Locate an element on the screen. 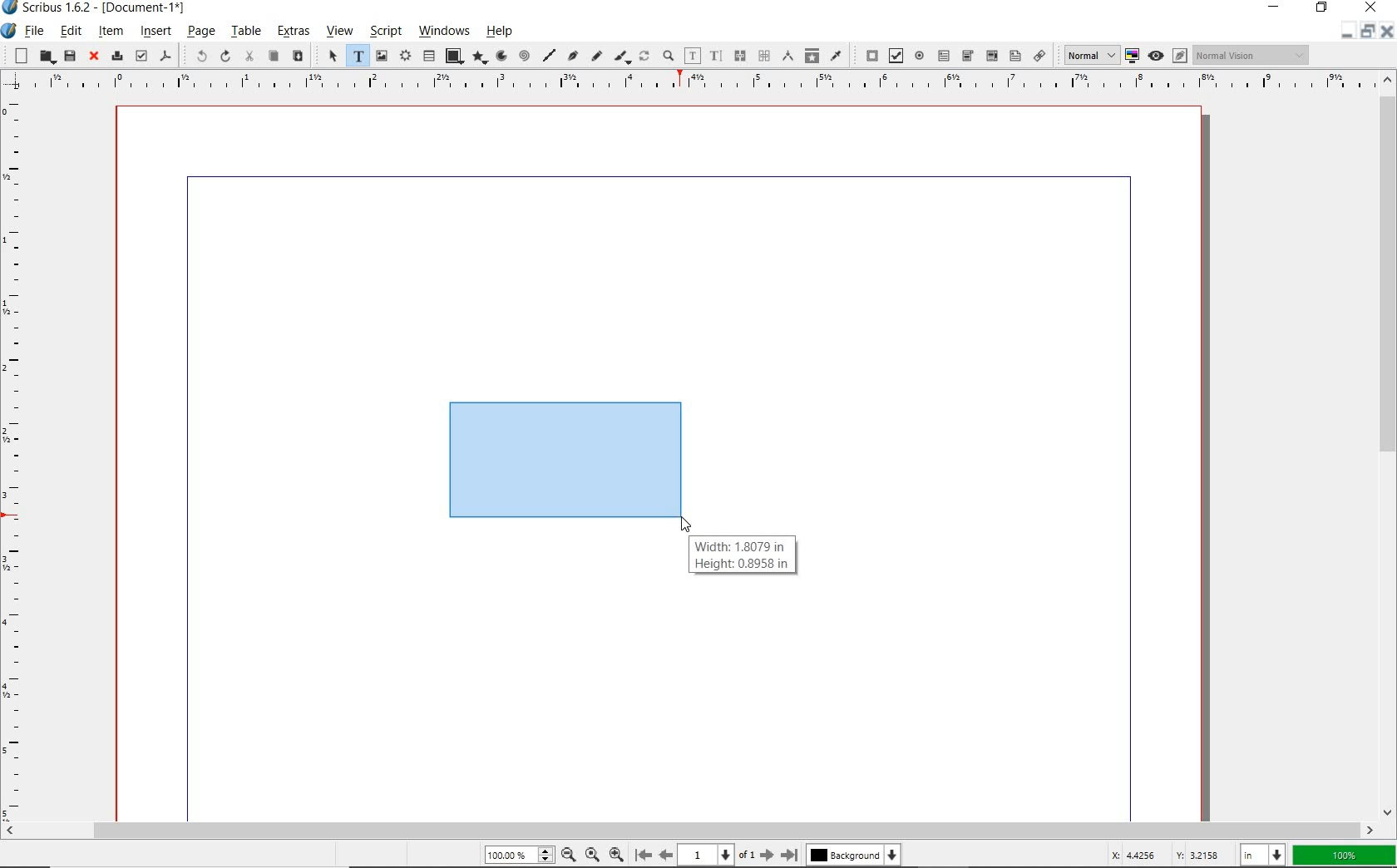 Image resolution: width=1397 pixels, height=868 pixels. save is located at coordinates (68, 56).